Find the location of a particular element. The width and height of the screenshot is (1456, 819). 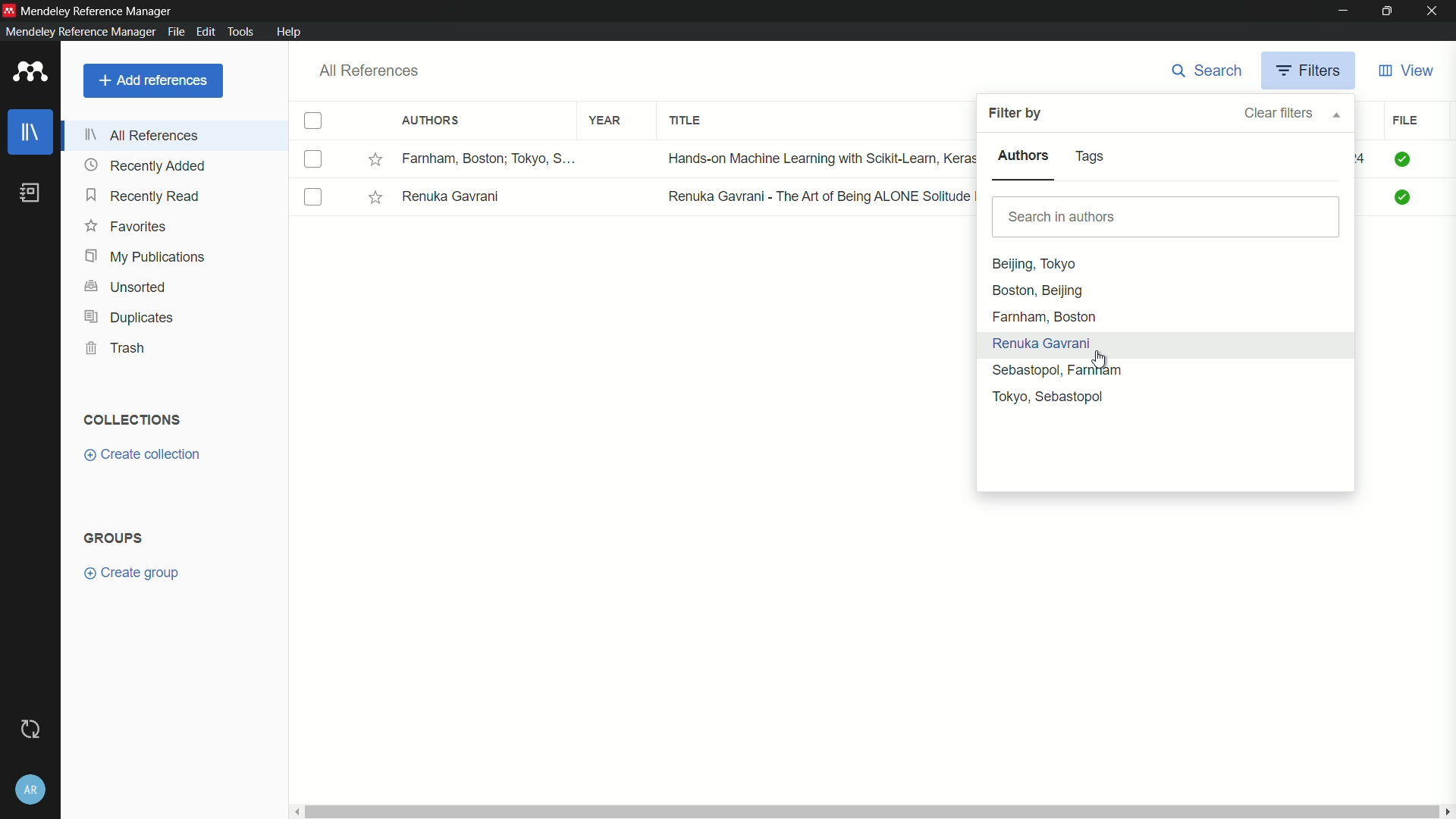

Farnham, Boston; Tokyo, S... is located at coordinates (489, 157).